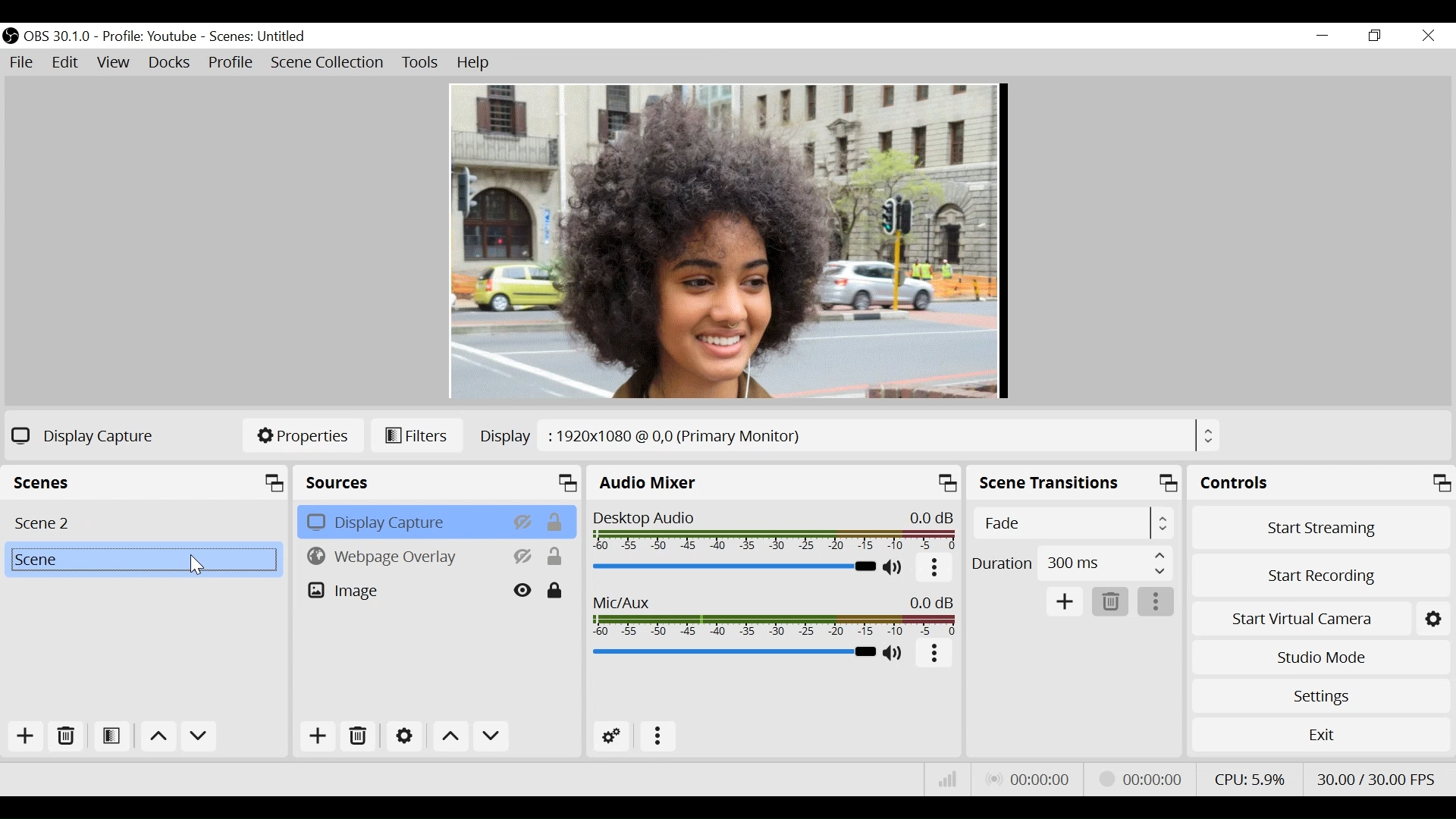 The height and width of the screenshot is (819, 1456). I want to click on Display Capture, so click(401, 521).